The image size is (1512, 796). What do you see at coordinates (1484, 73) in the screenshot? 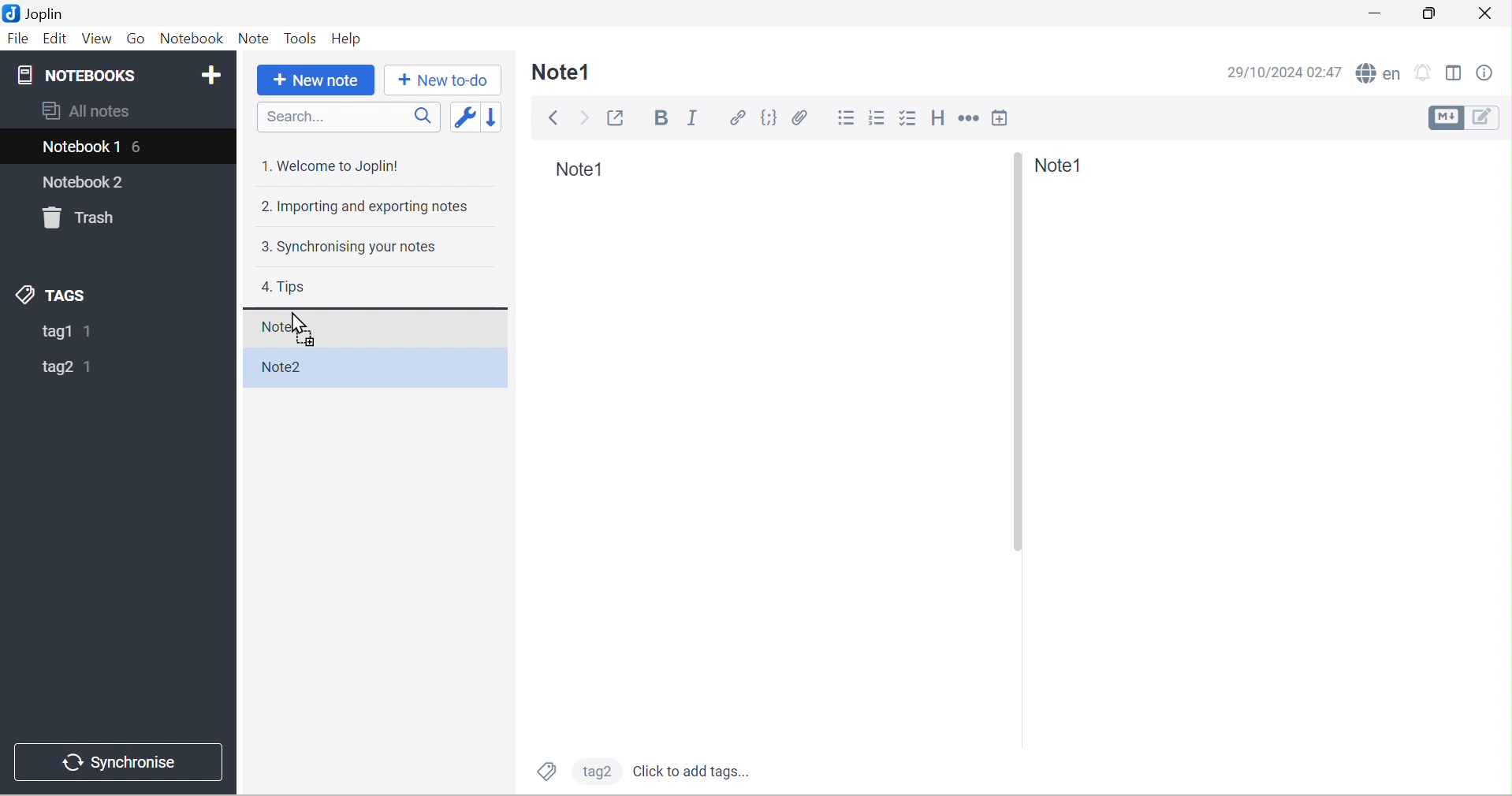
I see `Note properties` at bounding box center [1484, 73].